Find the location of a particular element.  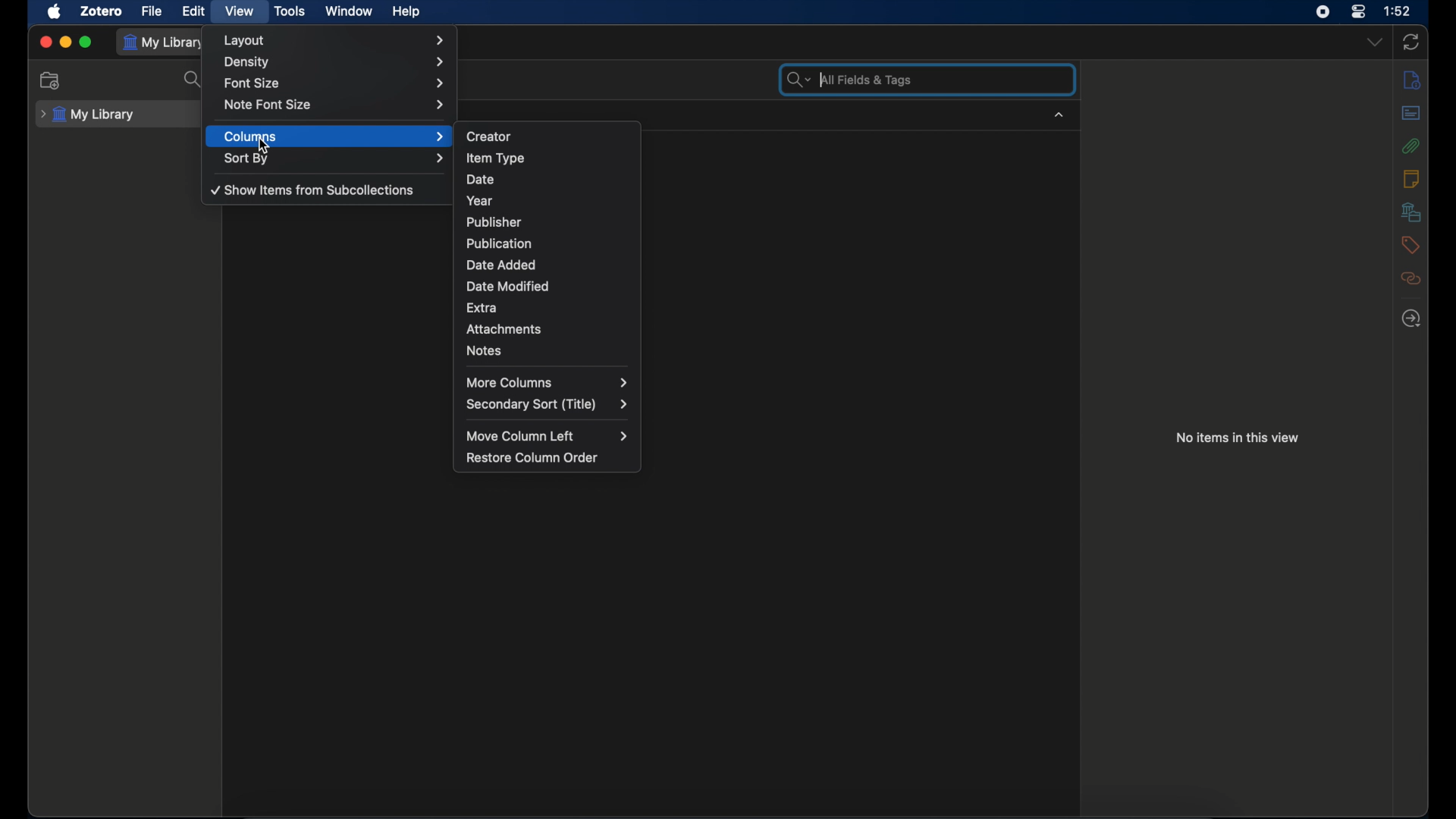

file is located at coordinates (153, 10).